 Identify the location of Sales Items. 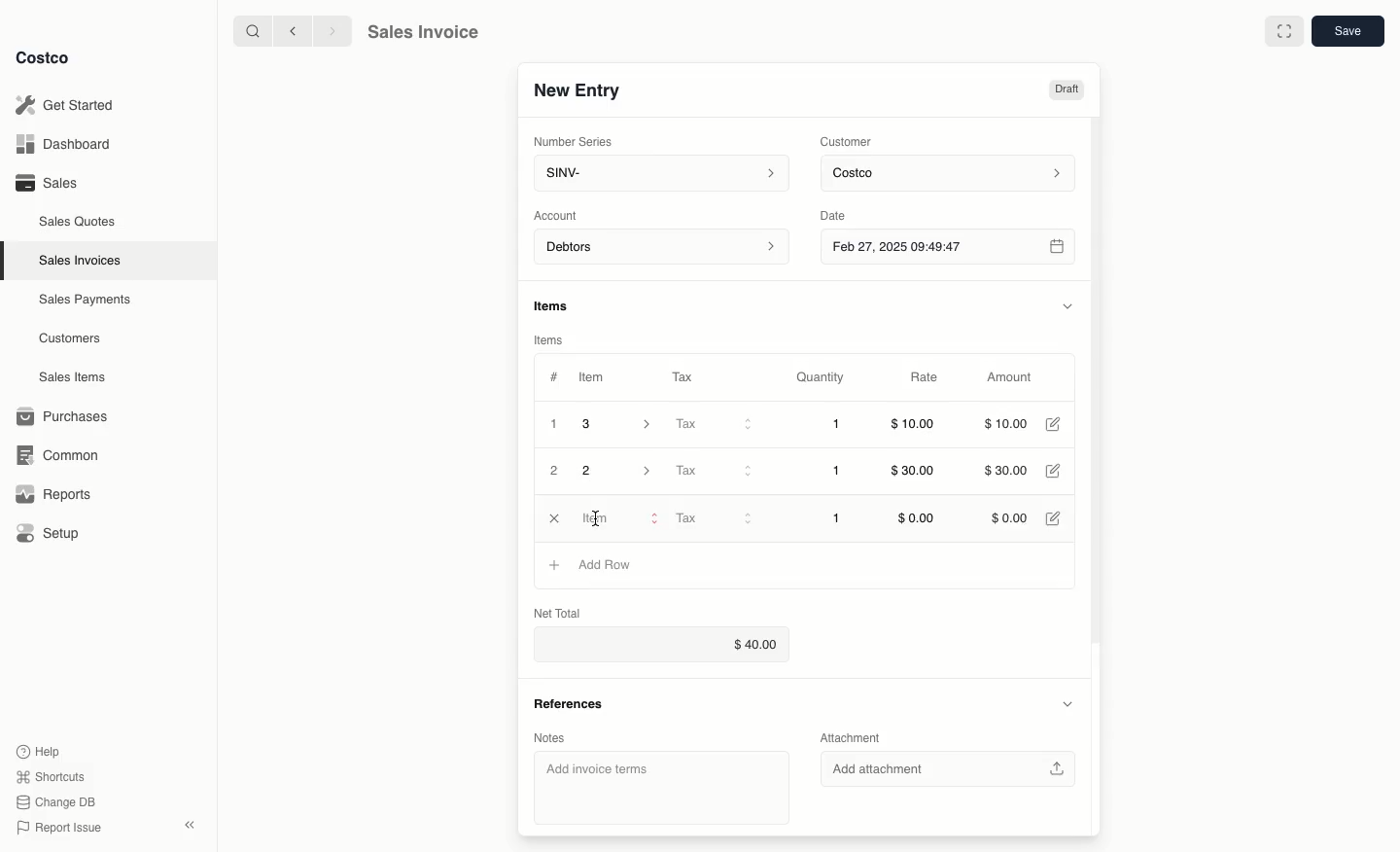
(75, 375).